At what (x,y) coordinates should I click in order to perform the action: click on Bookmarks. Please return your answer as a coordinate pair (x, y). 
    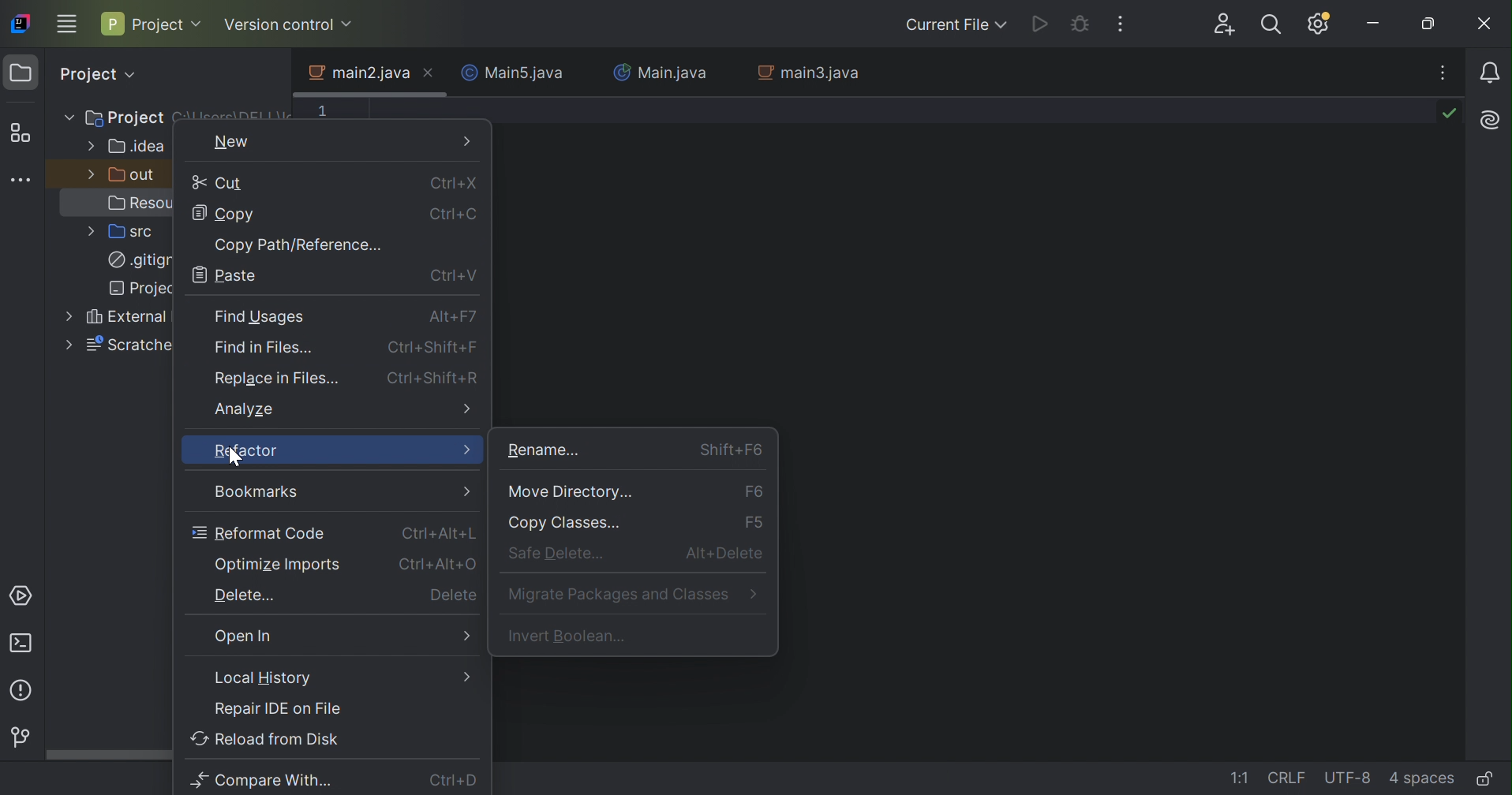
    Looking at the image, I should click on (257, 491).